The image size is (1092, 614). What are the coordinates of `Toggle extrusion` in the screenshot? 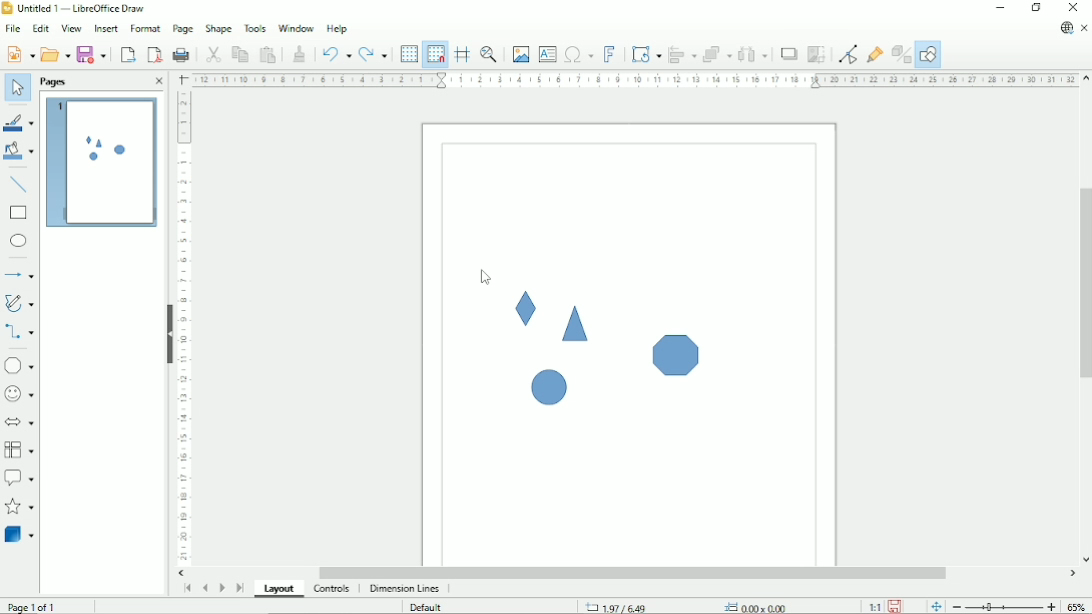 It's located at (902, 53).